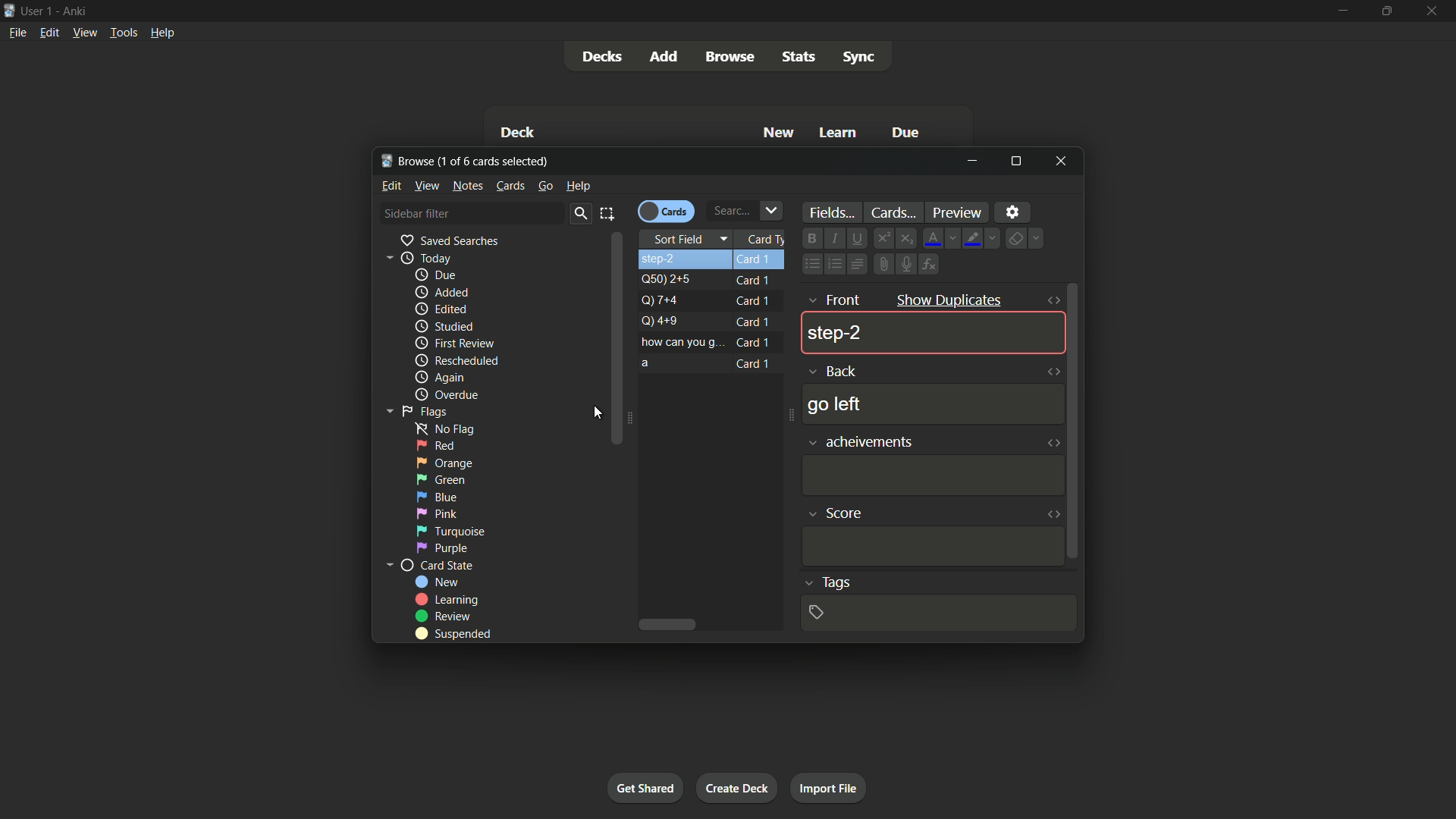  What do you see at coordinates (907, 237) in the screenshot?
I see `Subscript` at bounding box center [907, 237].